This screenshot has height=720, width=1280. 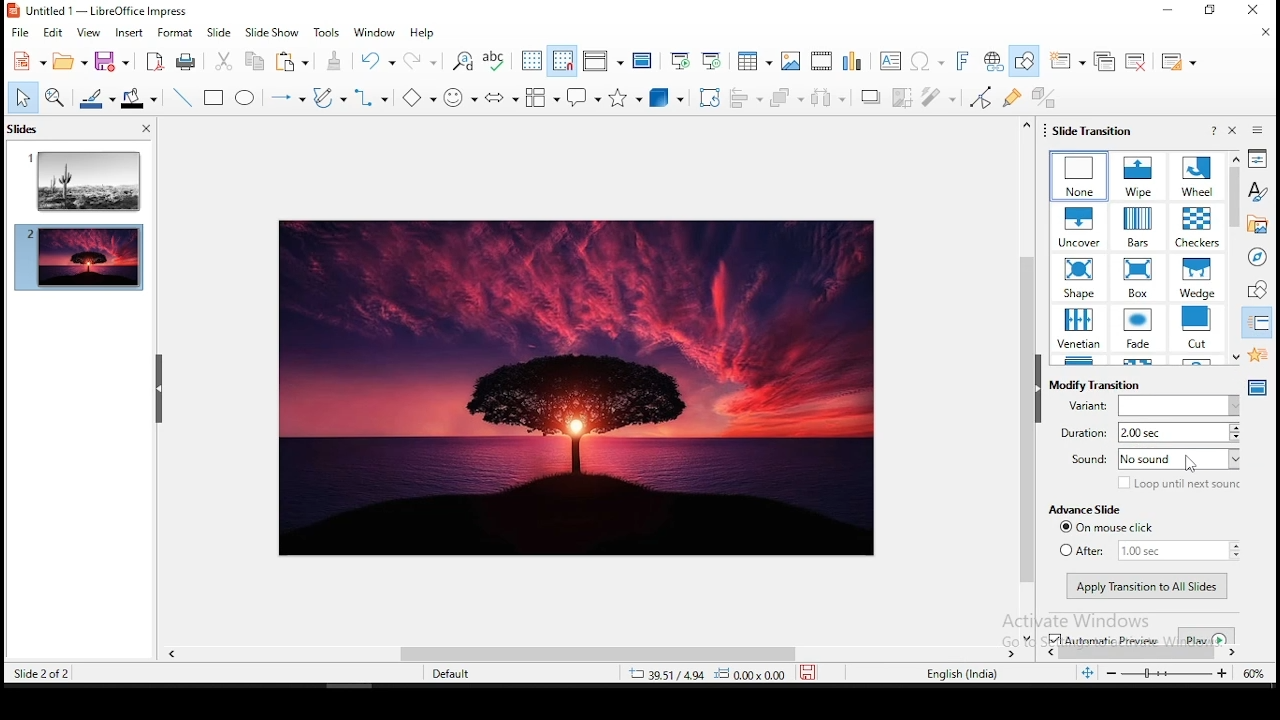 I want to click on save, so click(x=806, y=676).